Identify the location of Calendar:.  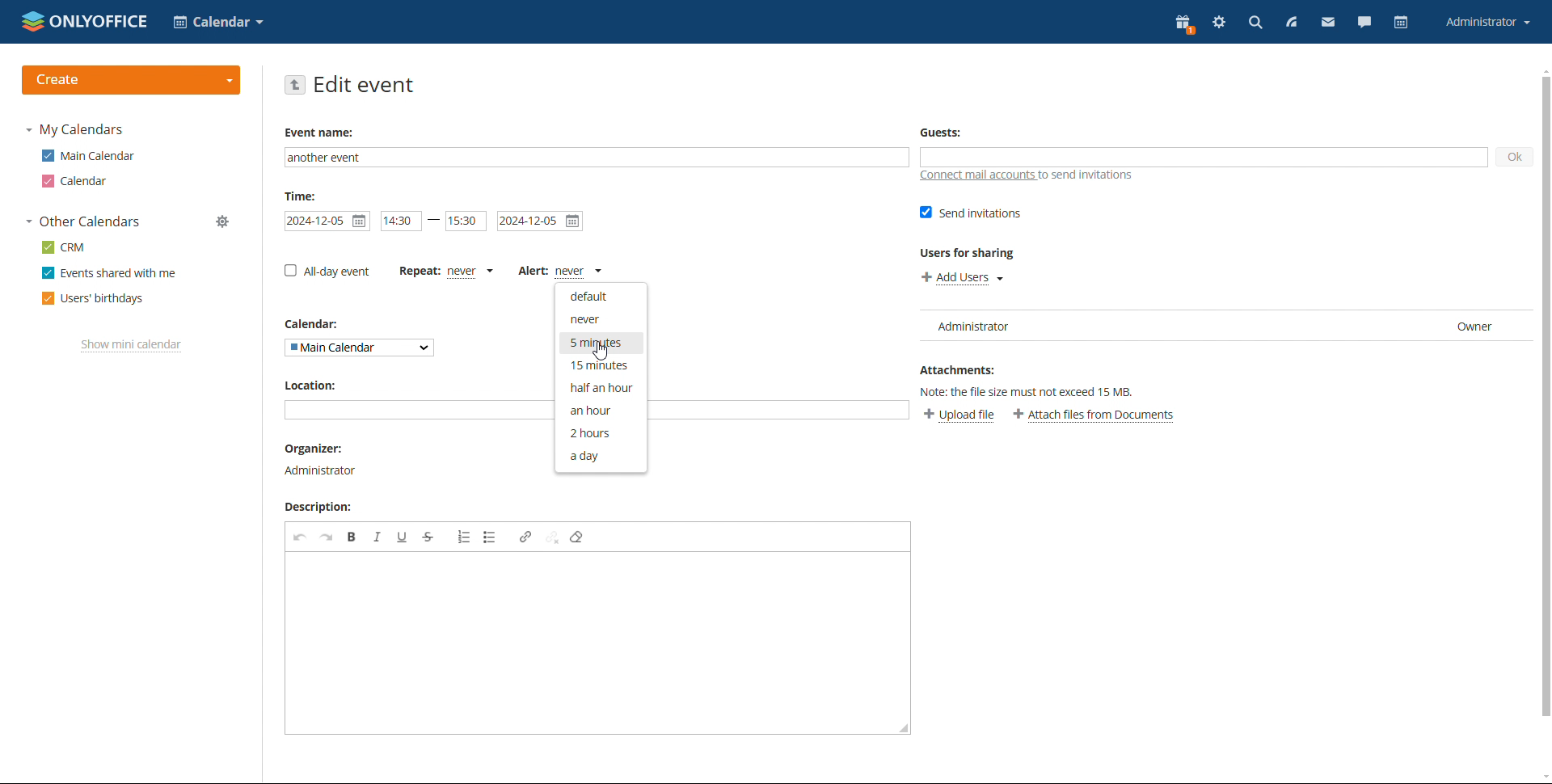
(318, 324).